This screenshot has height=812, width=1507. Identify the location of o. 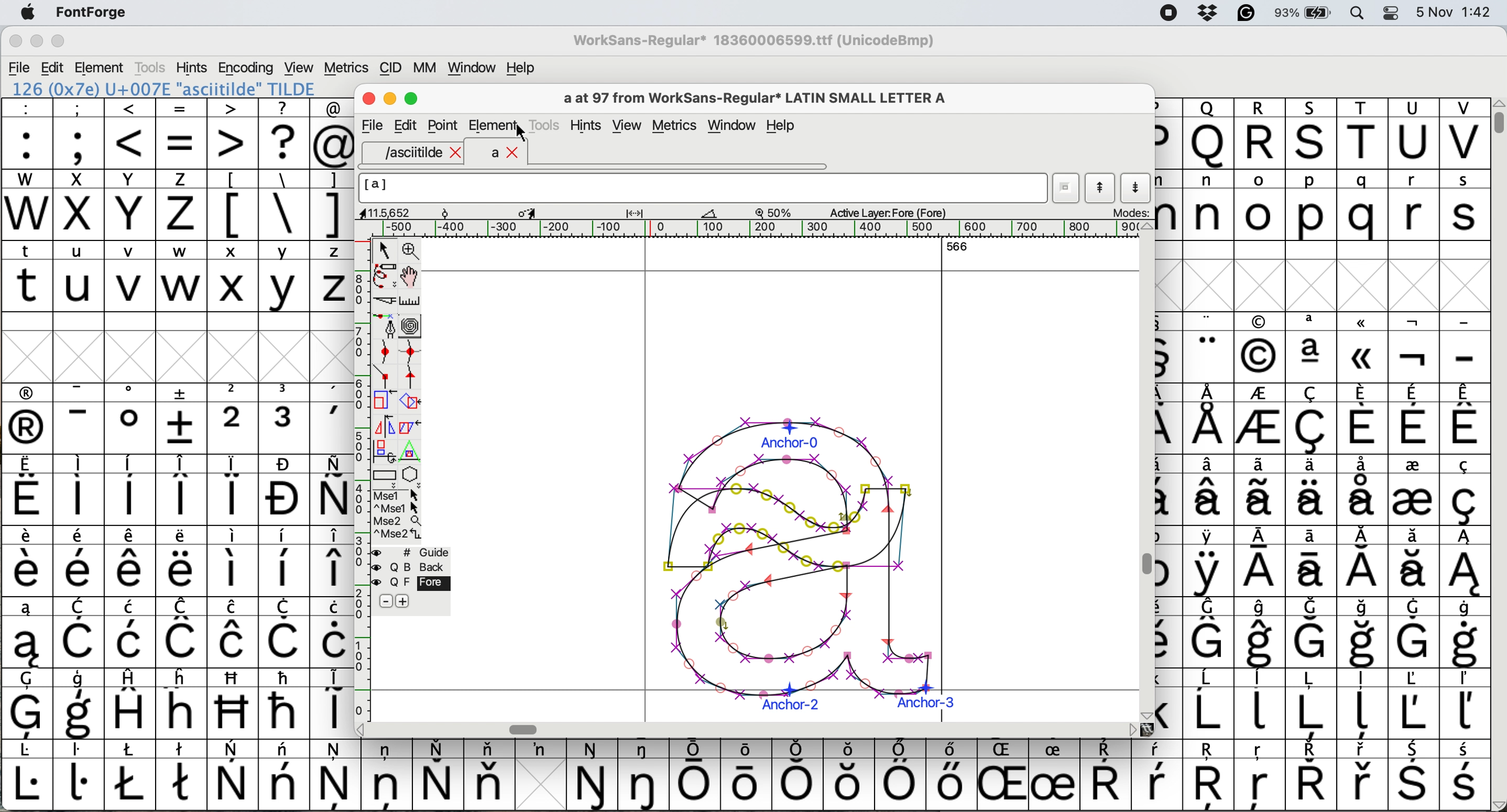
(1261, 207).